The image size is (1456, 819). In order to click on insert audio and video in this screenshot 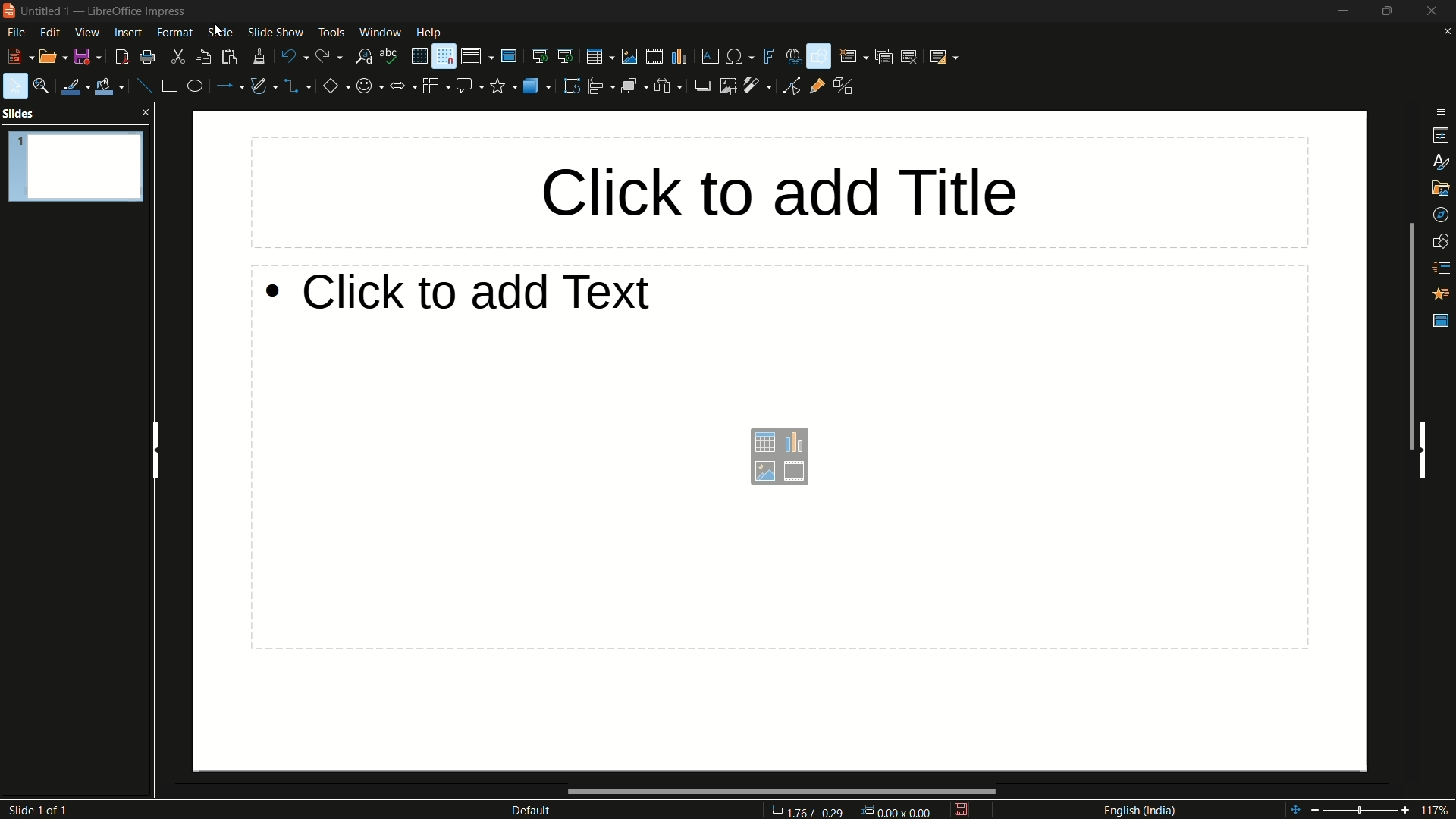, I will do `click(795, 473)`.